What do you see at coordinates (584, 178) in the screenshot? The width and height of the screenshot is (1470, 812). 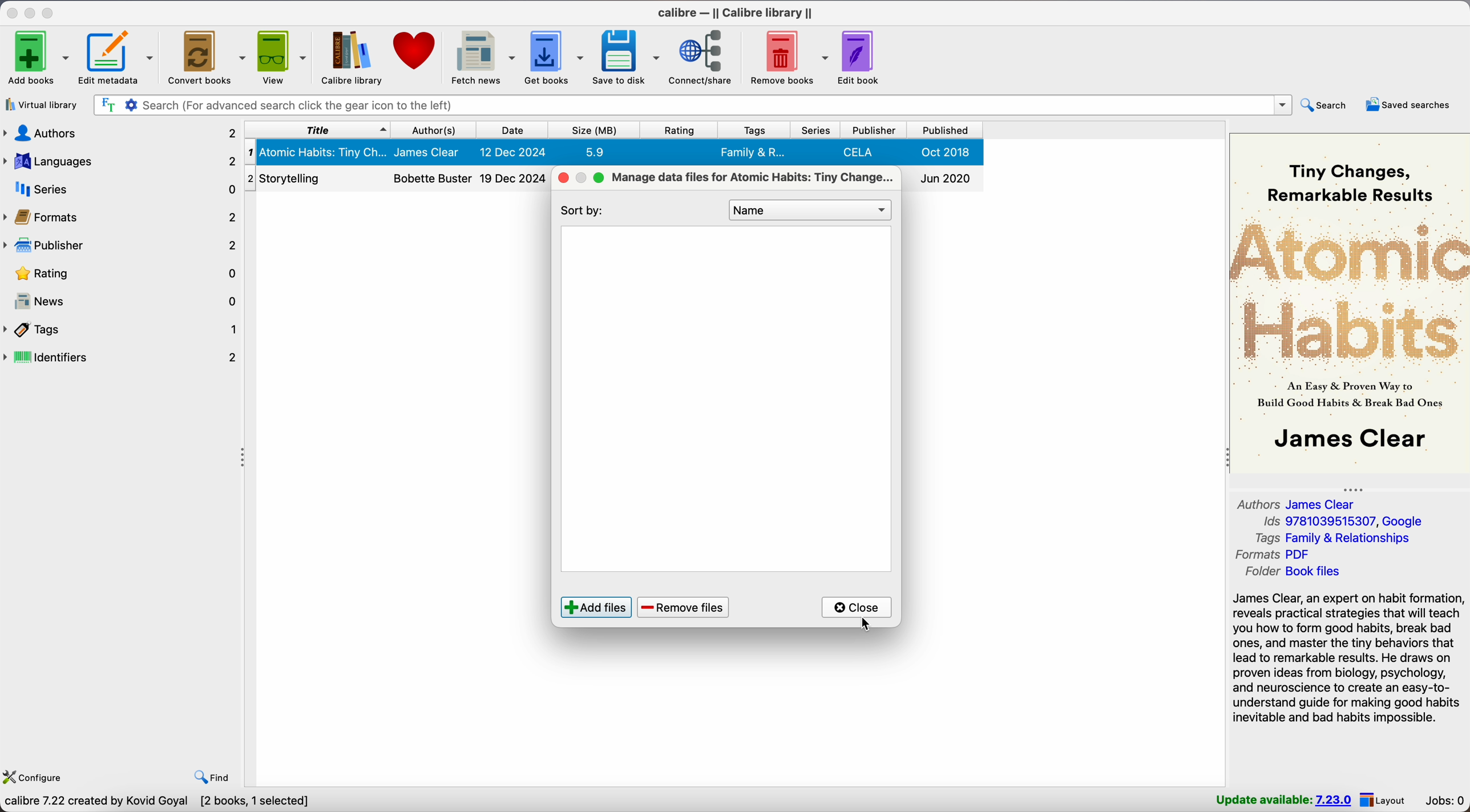 I see `disable minimize` at bounding box center [584, 178].